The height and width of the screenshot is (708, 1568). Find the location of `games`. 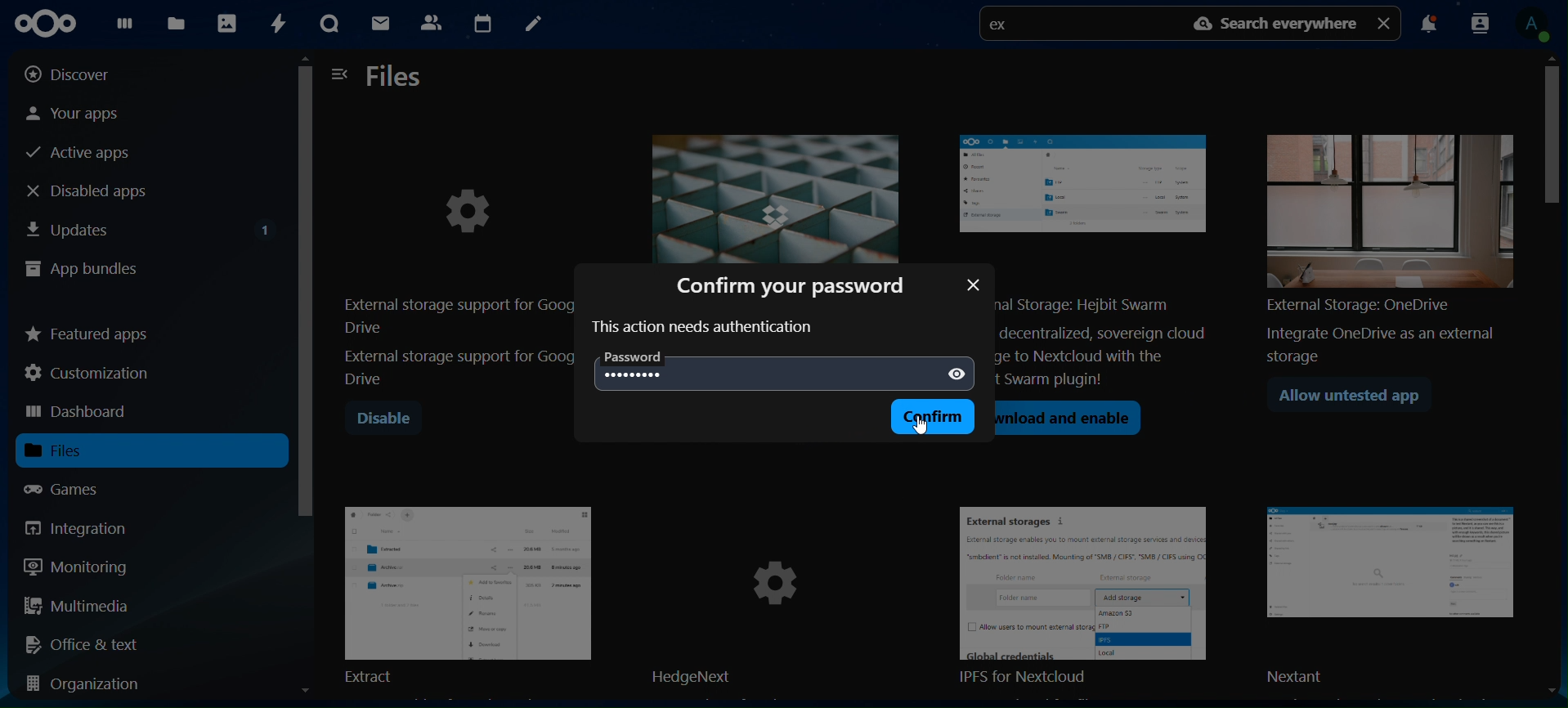

games is located at coordinates (77, 489).